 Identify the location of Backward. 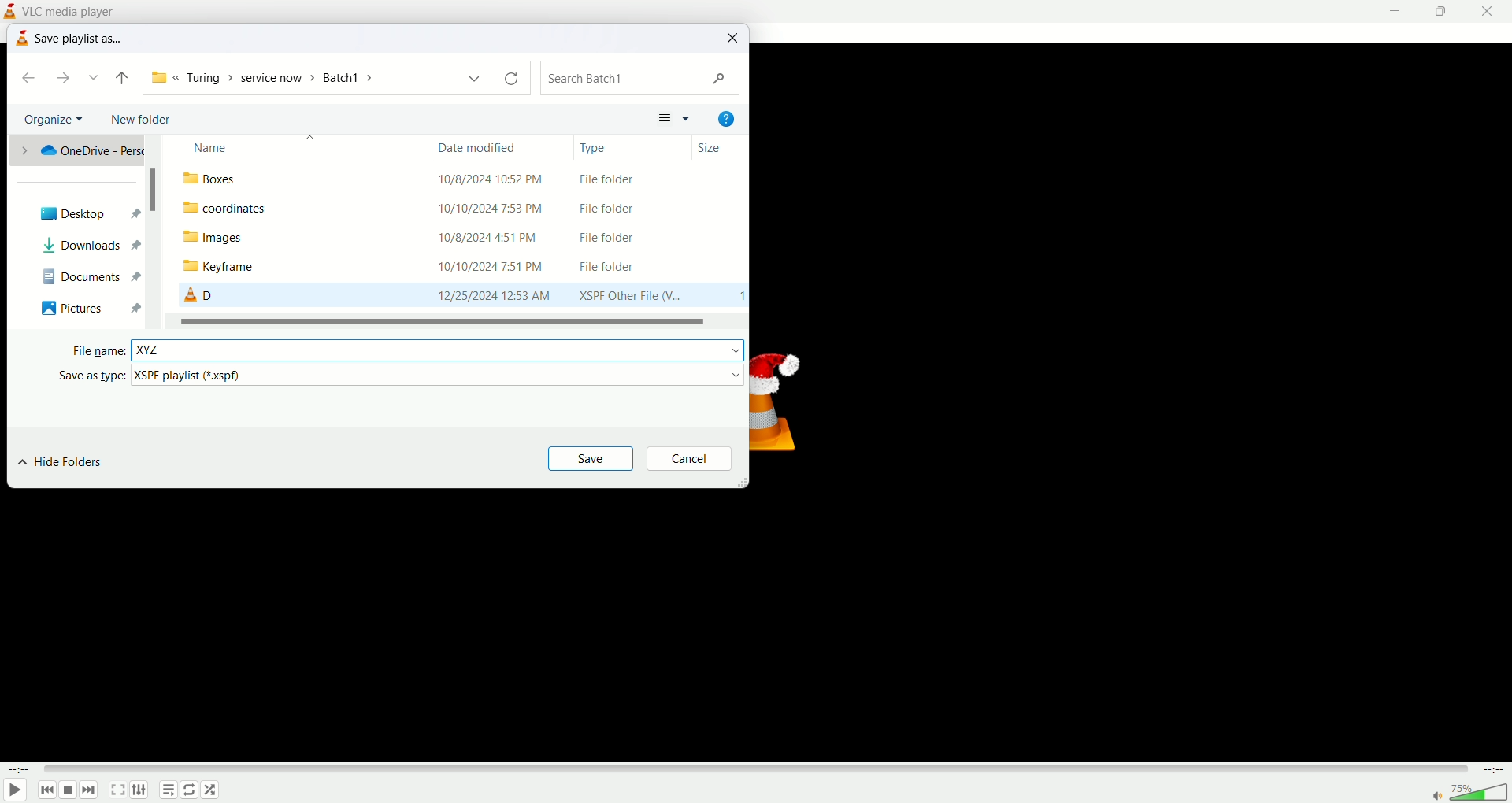
(120, 77).